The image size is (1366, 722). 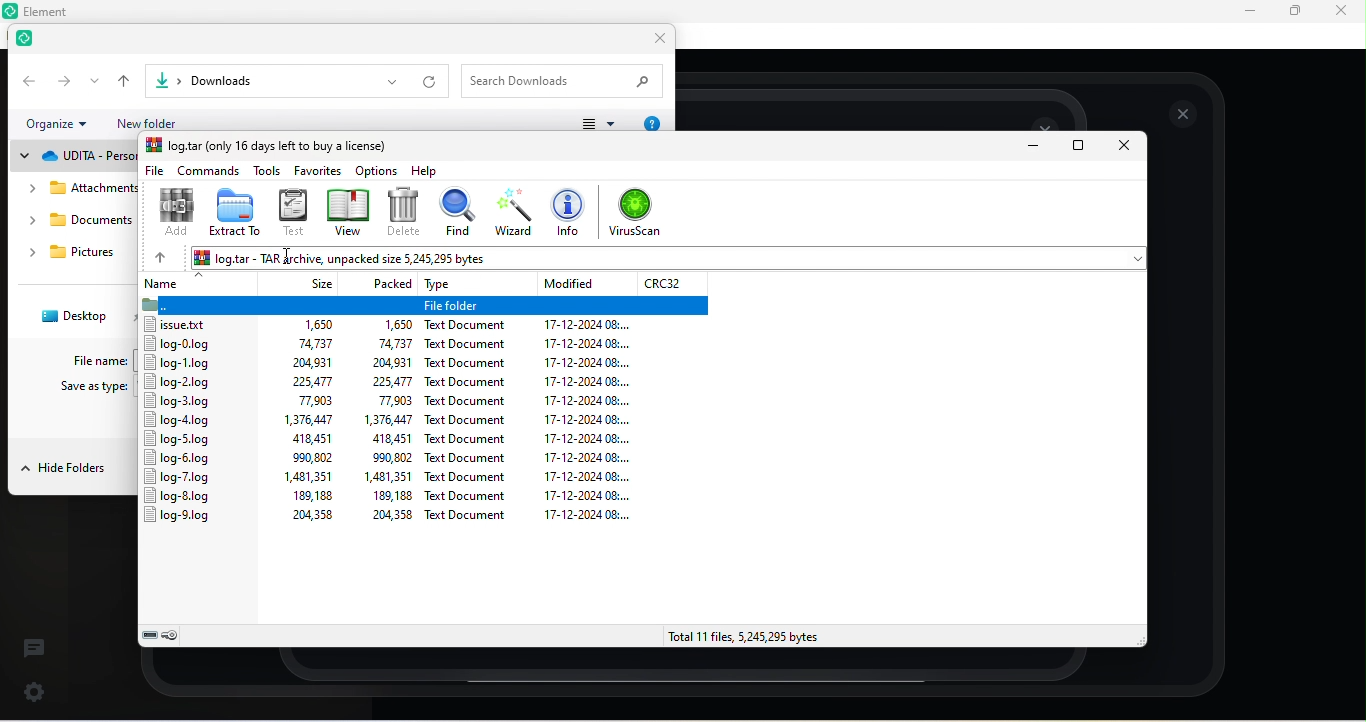 I want to click on 1,481,351, so click(x=308, y=478).